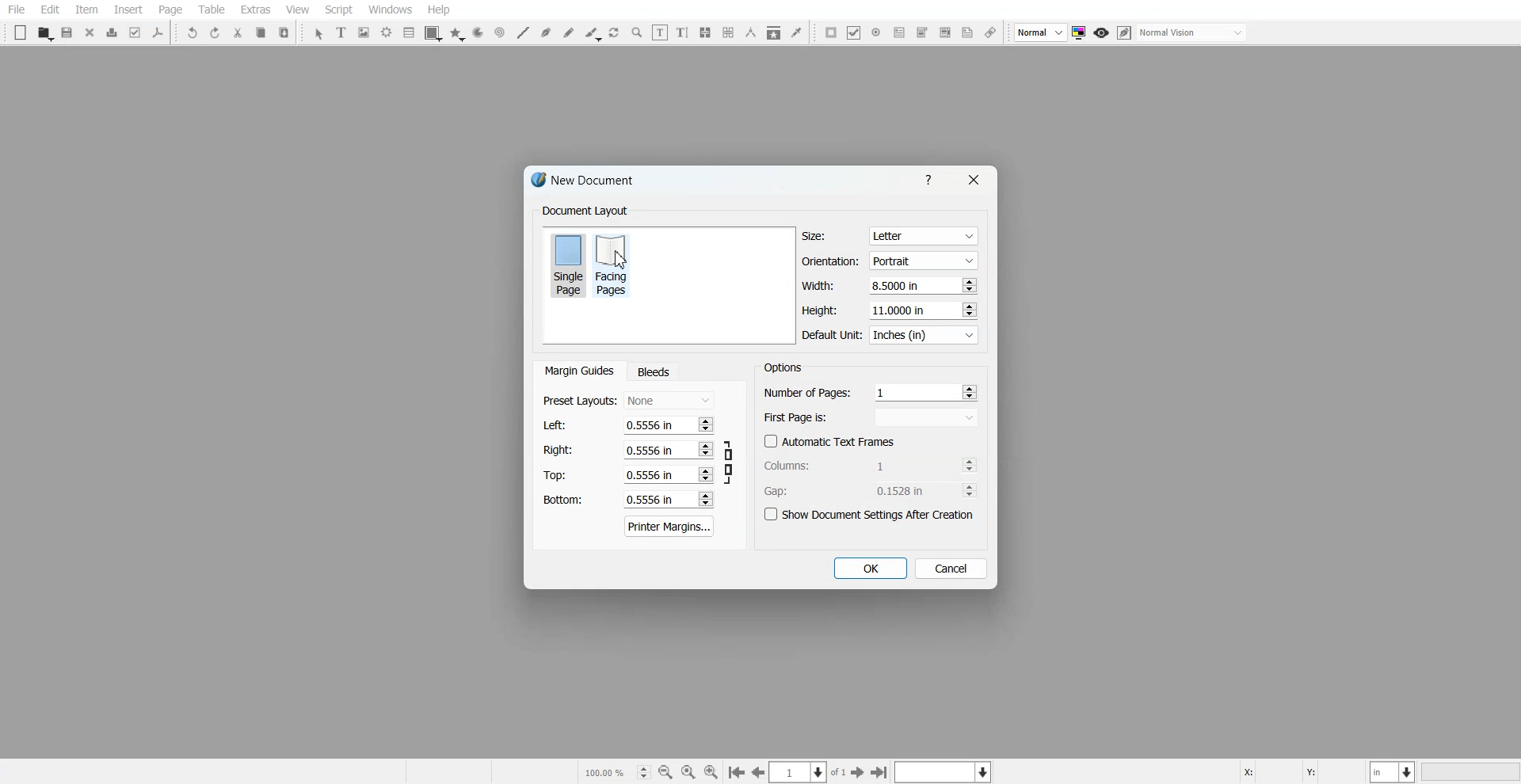 The height and width of the screenshot is (784, 1521). I want to click on Link Annotation, so click(990, 33).